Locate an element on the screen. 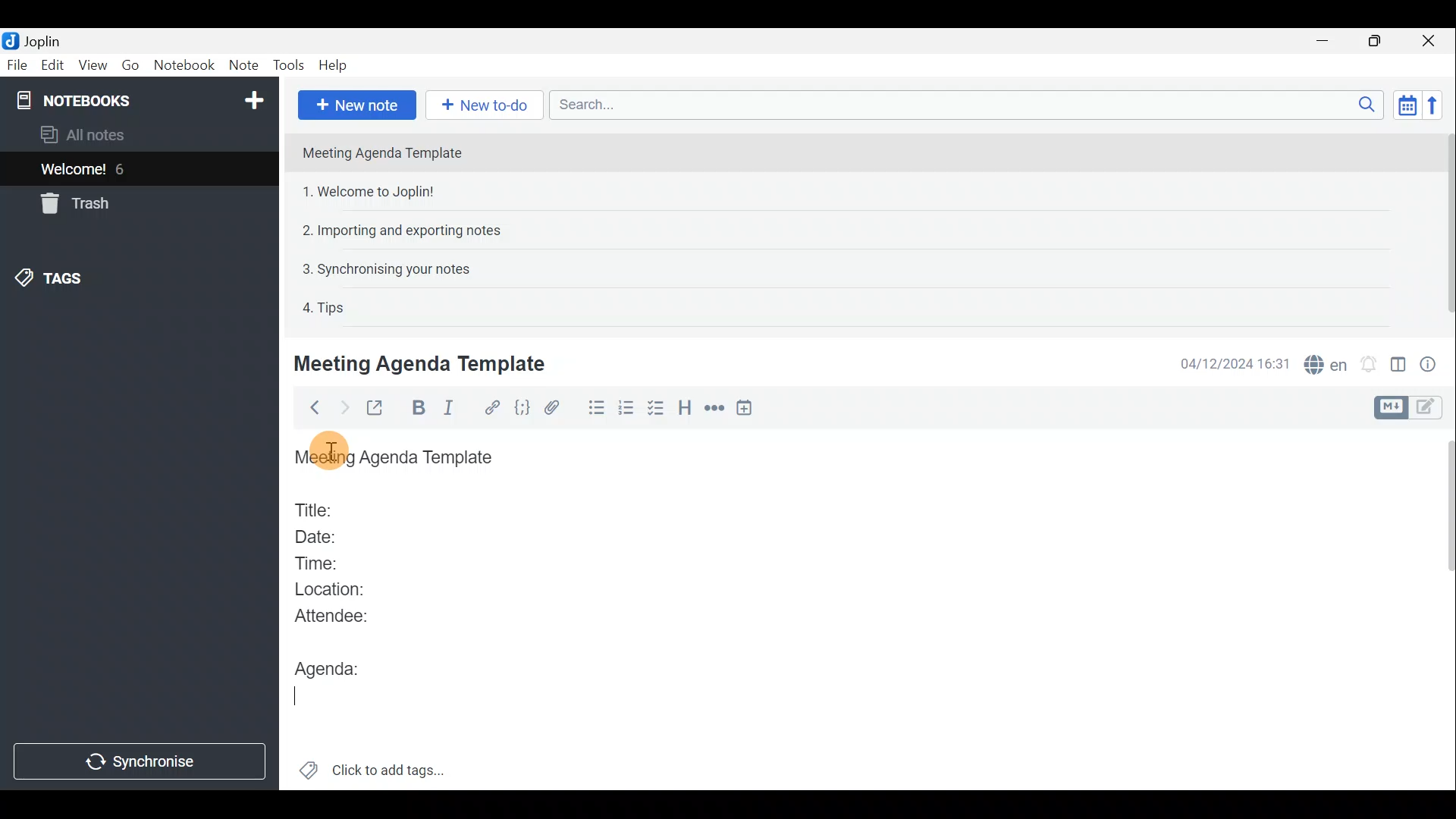 This screenshot has width=1456, height=819. File is located at coordinates (17, 64).